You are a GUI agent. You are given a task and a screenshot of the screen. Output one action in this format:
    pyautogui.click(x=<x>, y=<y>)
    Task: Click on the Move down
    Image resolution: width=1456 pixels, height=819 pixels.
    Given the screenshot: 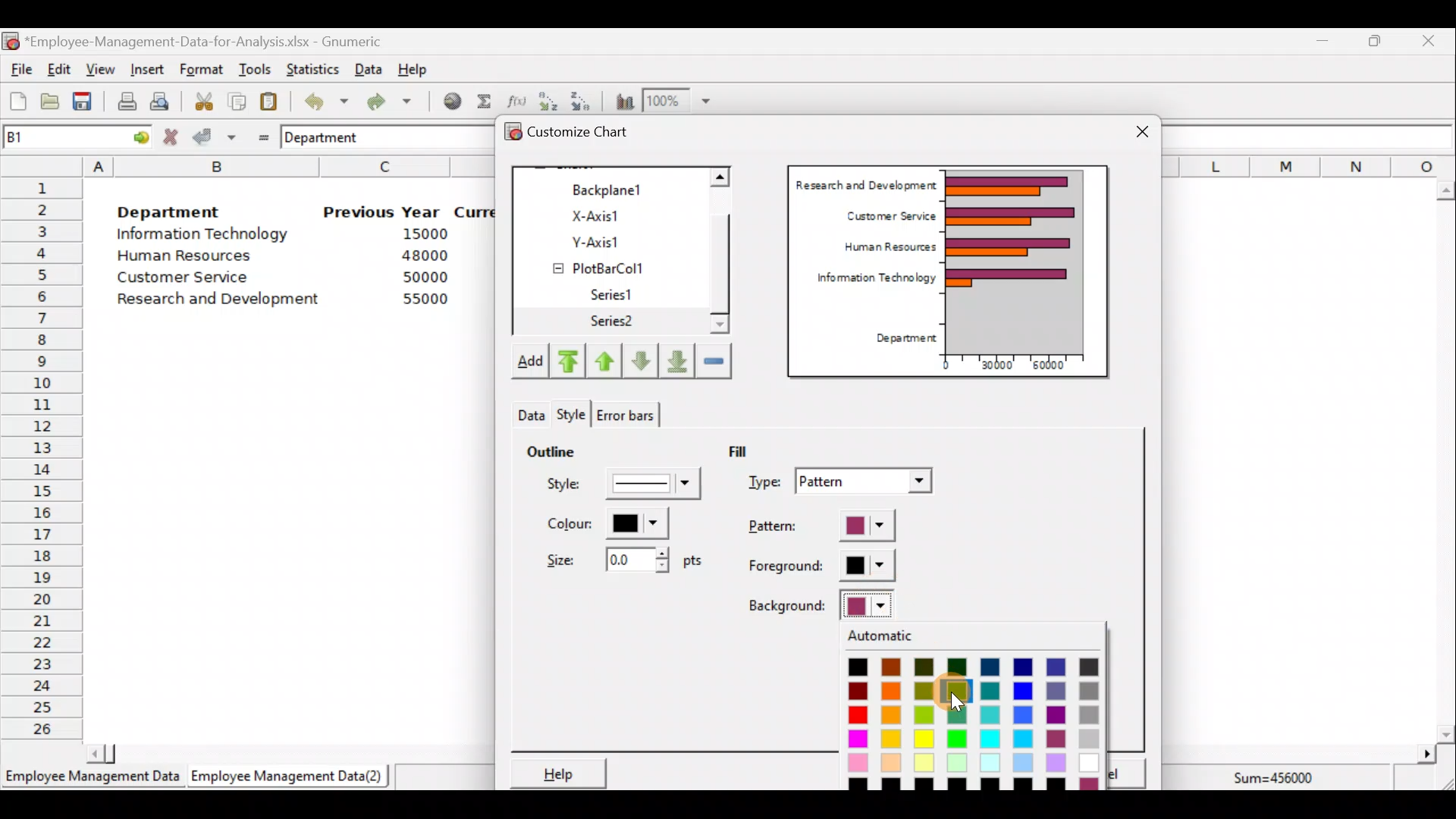 What is the action you would take?
    pyautogui.click(x=640, y=361)
    